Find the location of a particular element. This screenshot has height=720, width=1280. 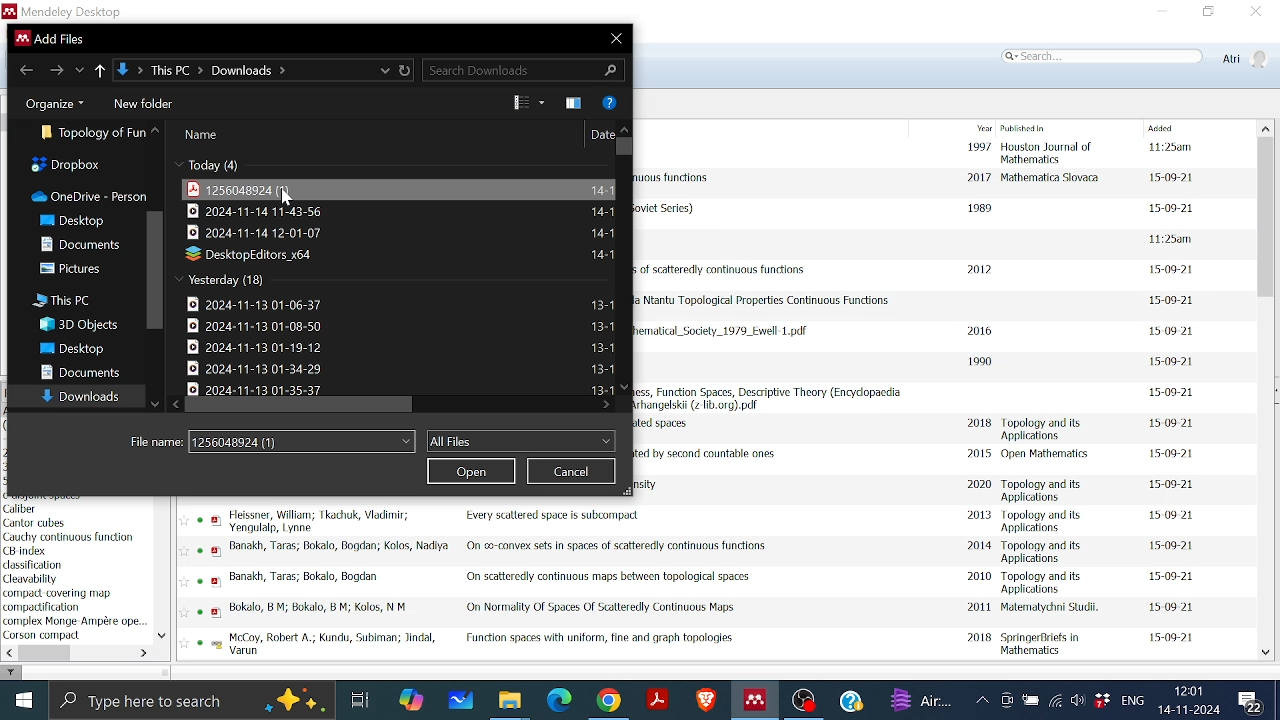

File is located at coordinates (603, 233).